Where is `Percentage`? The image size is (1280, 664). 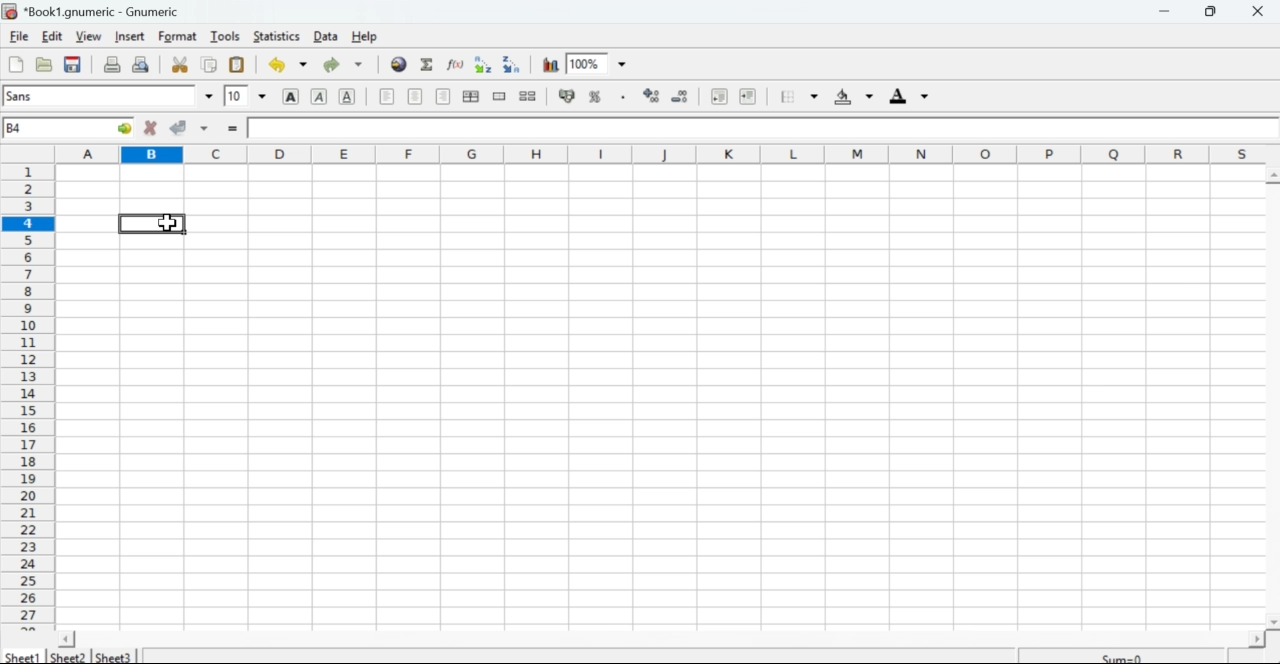 Percentage is located at coordinates (599, 95).